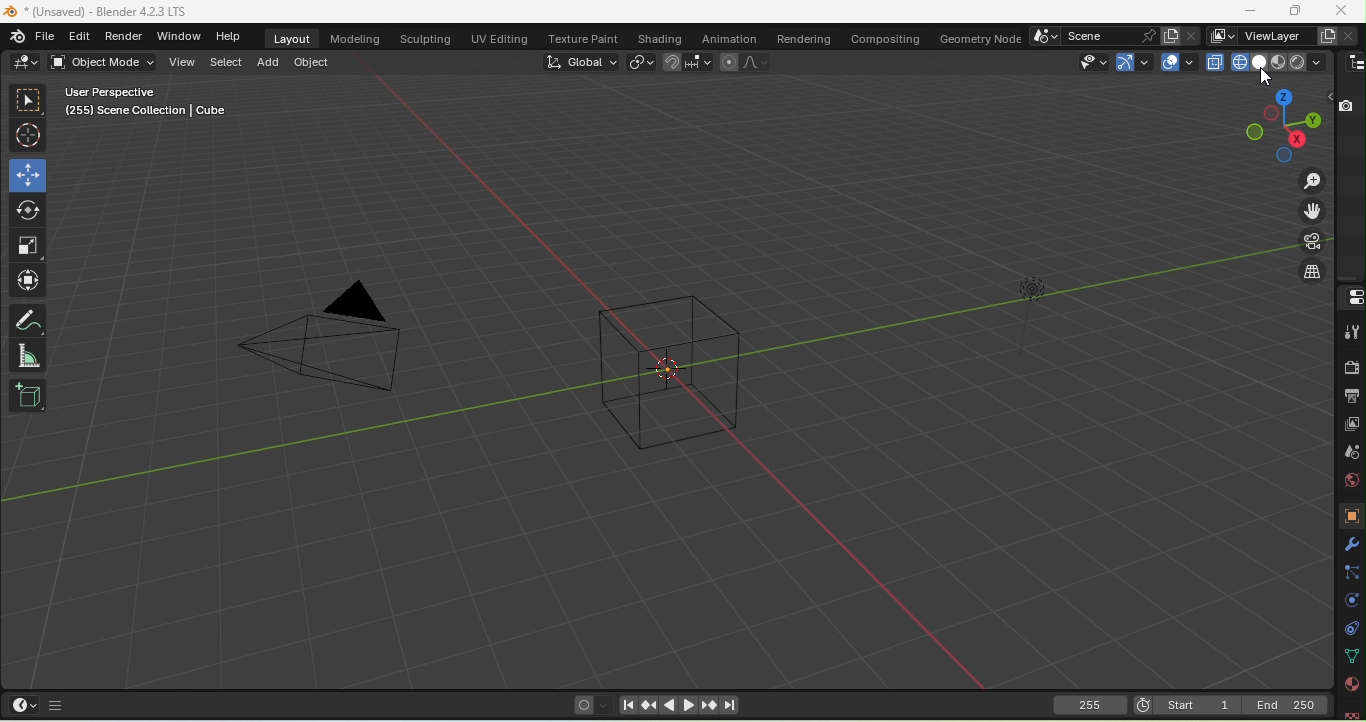 The height and width of the screenshot is (722, 1366). Describe the element at coordinates (1352, 657) in the screenshot. I see `Data` at that location.